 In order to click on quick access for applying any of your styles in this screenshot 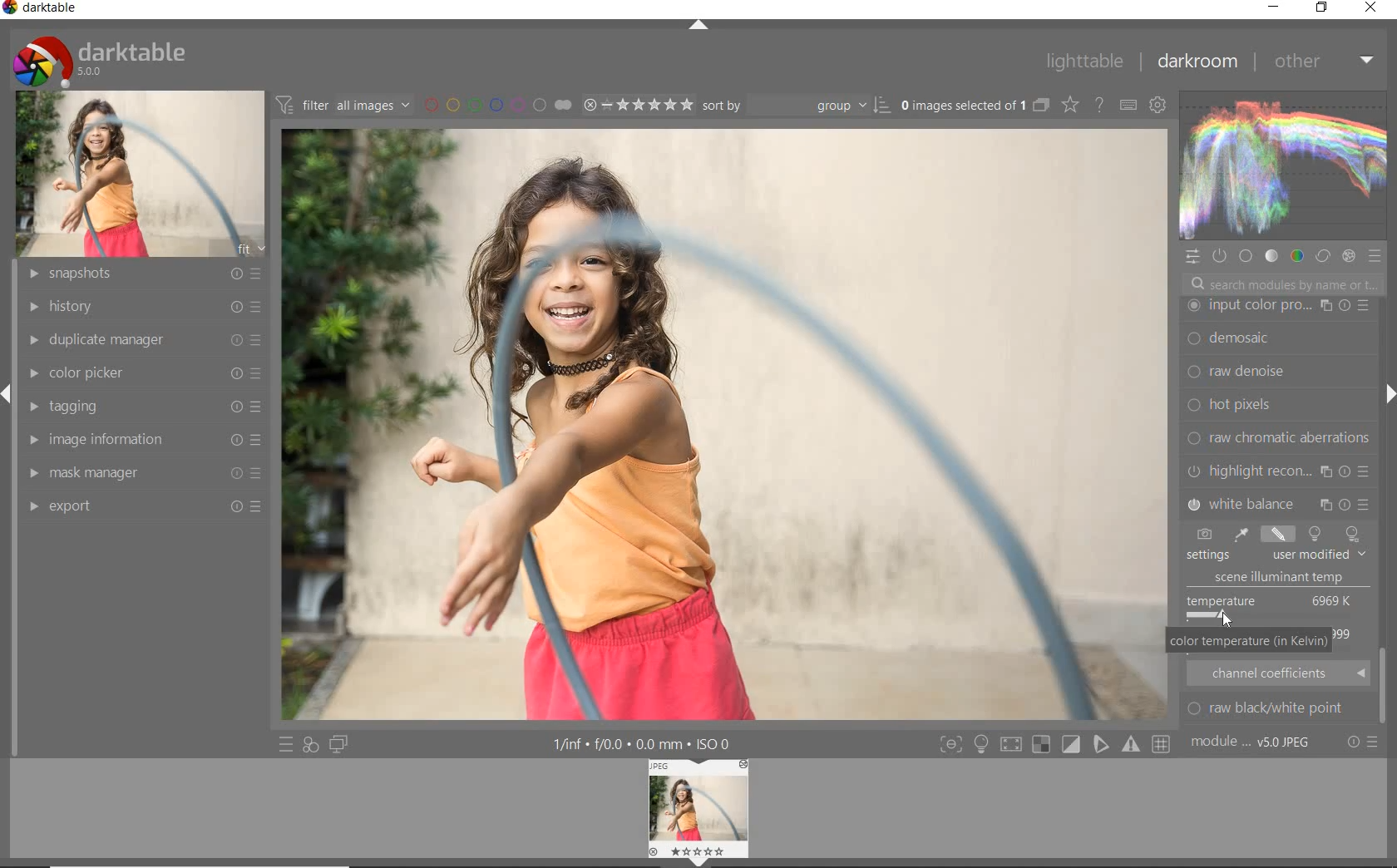, I will do `click(310, 746)`.